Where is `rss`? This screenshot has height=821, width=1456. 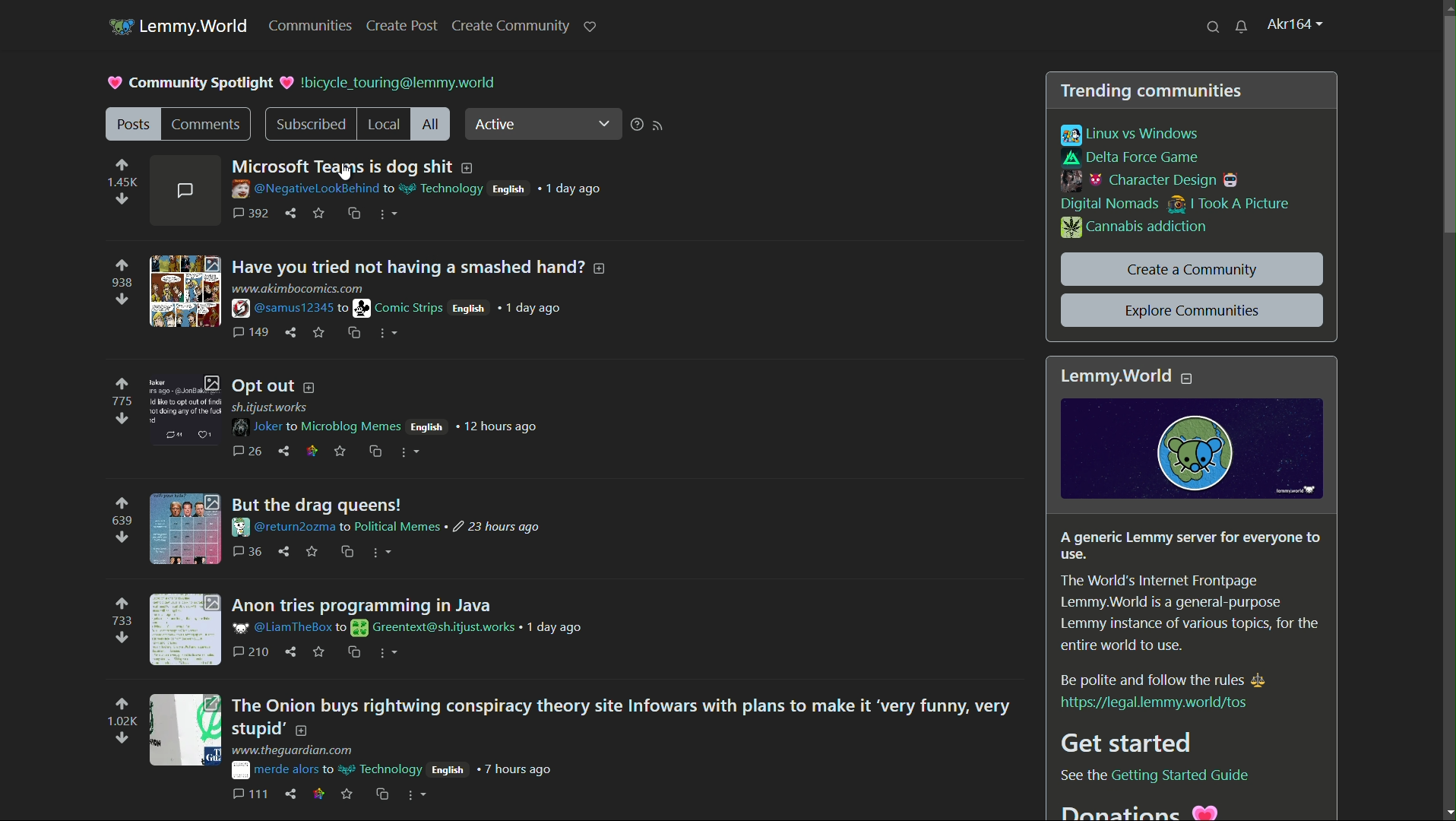
rss is located at coordinates (663, 126).